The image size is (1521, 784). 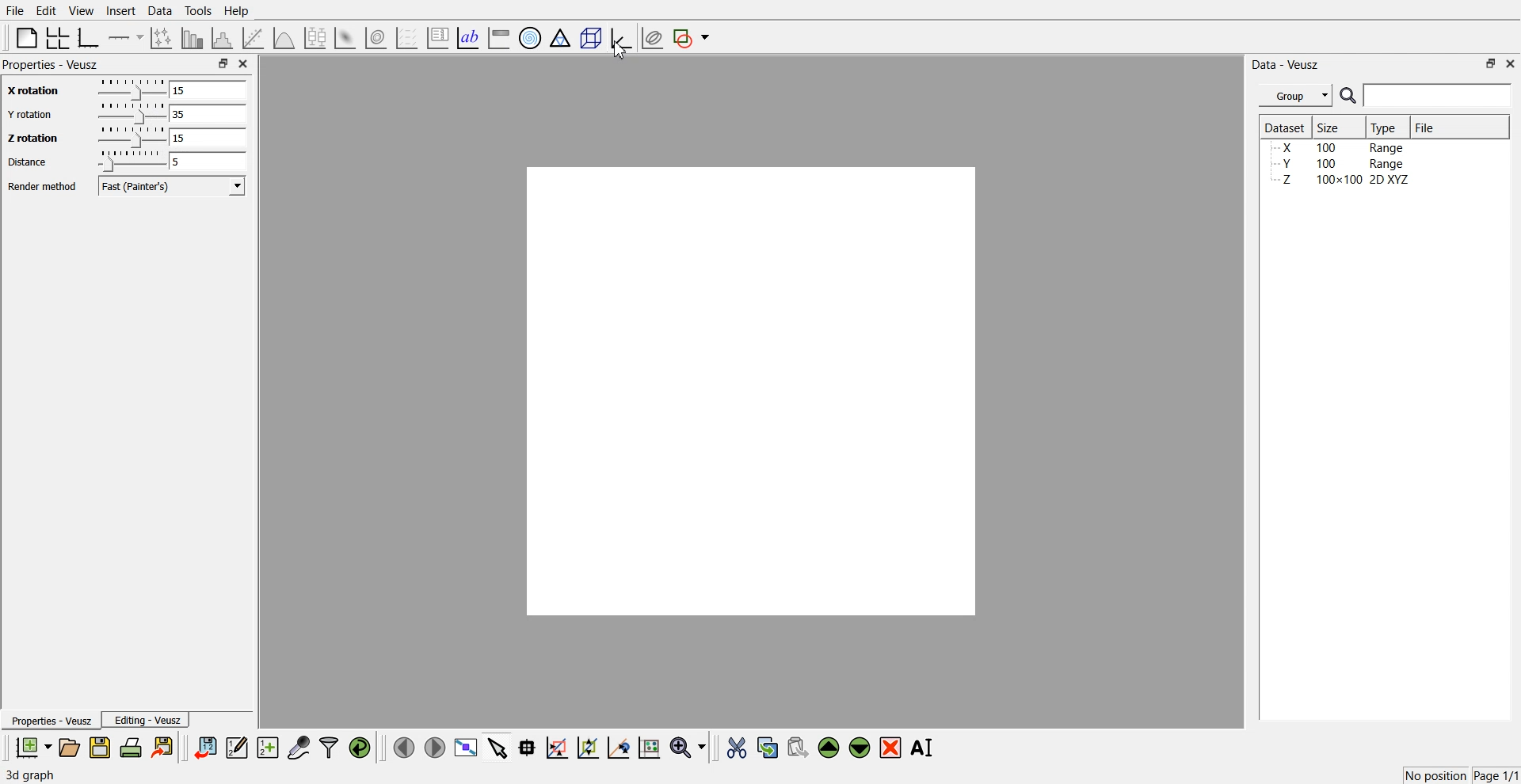 What do you see at coordinates (1491, 63) in the screenshot?
I see `Maximize` at bounding box center [1491, 63].